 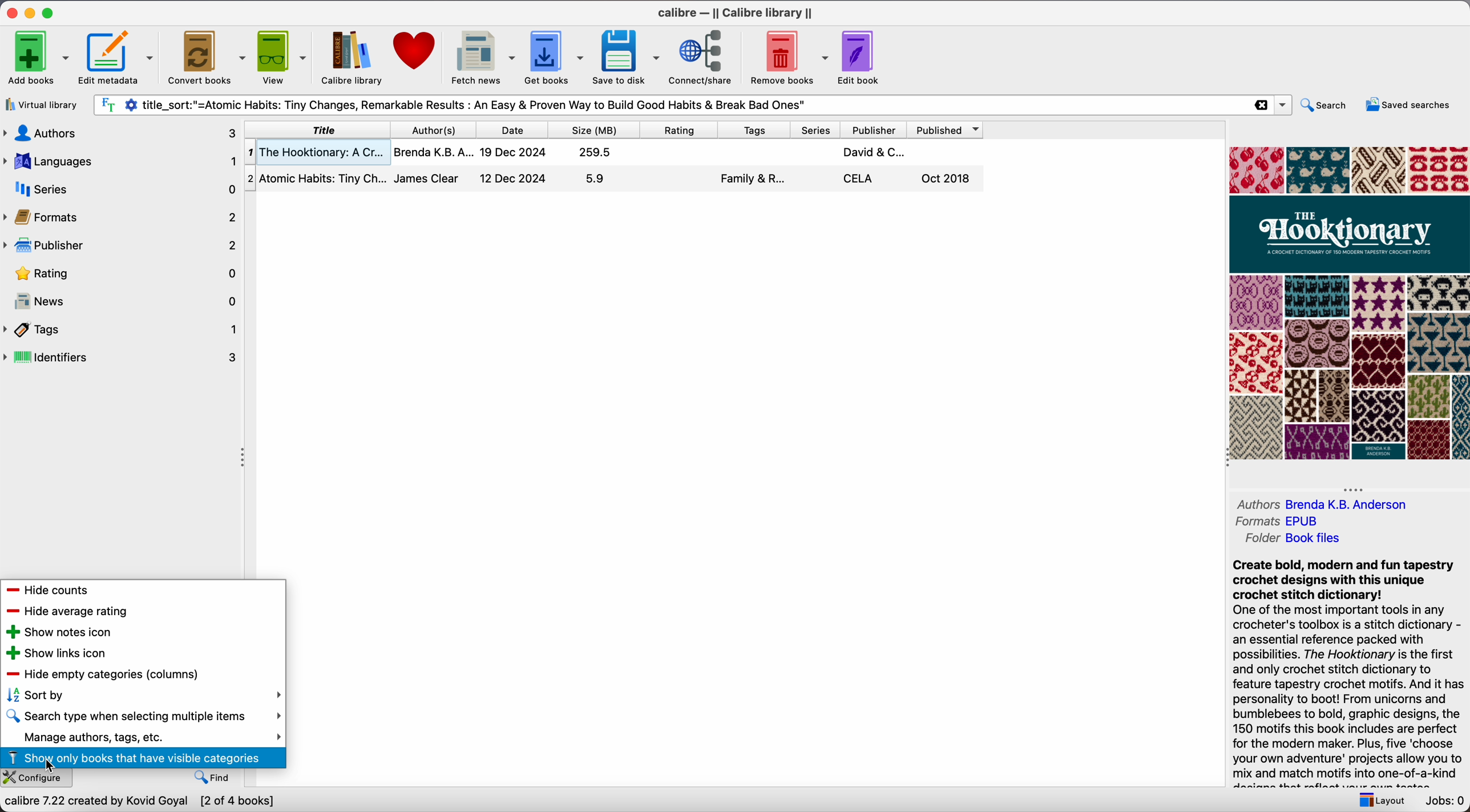 I want to click on close program, so click(x=9, y=13).